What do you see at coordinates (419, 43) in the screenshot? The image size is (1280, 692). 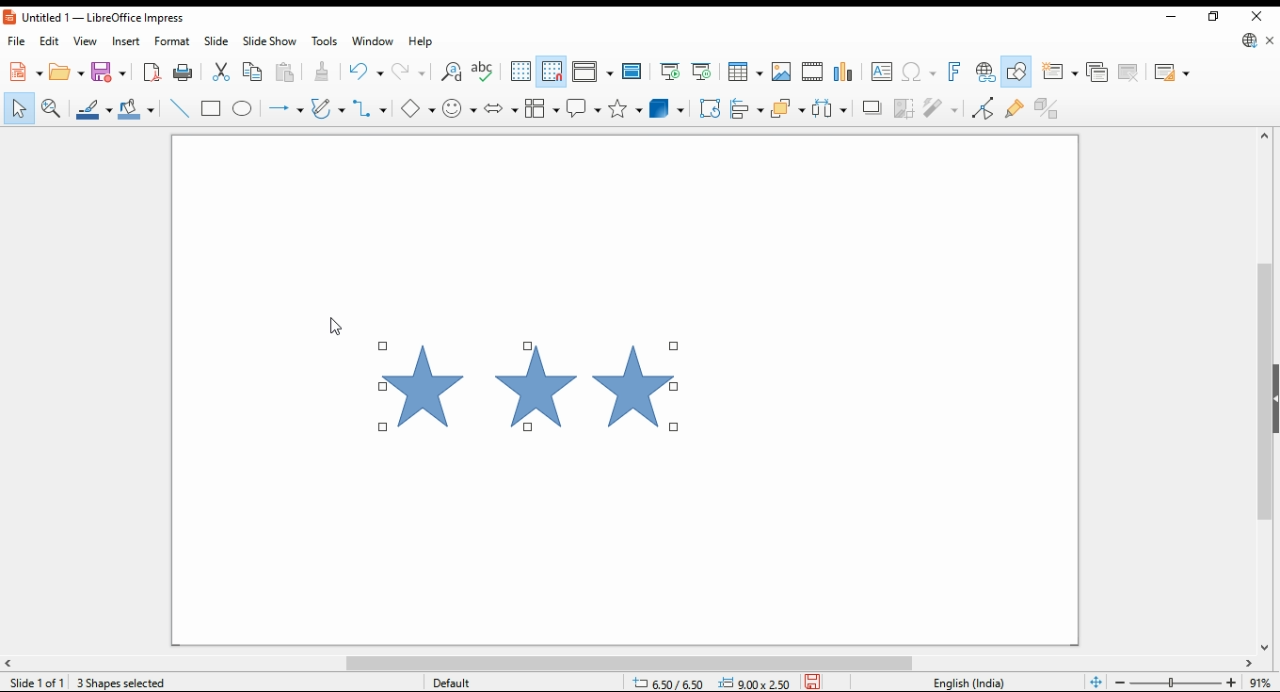 I see `help` at bounding box center [419, 43].